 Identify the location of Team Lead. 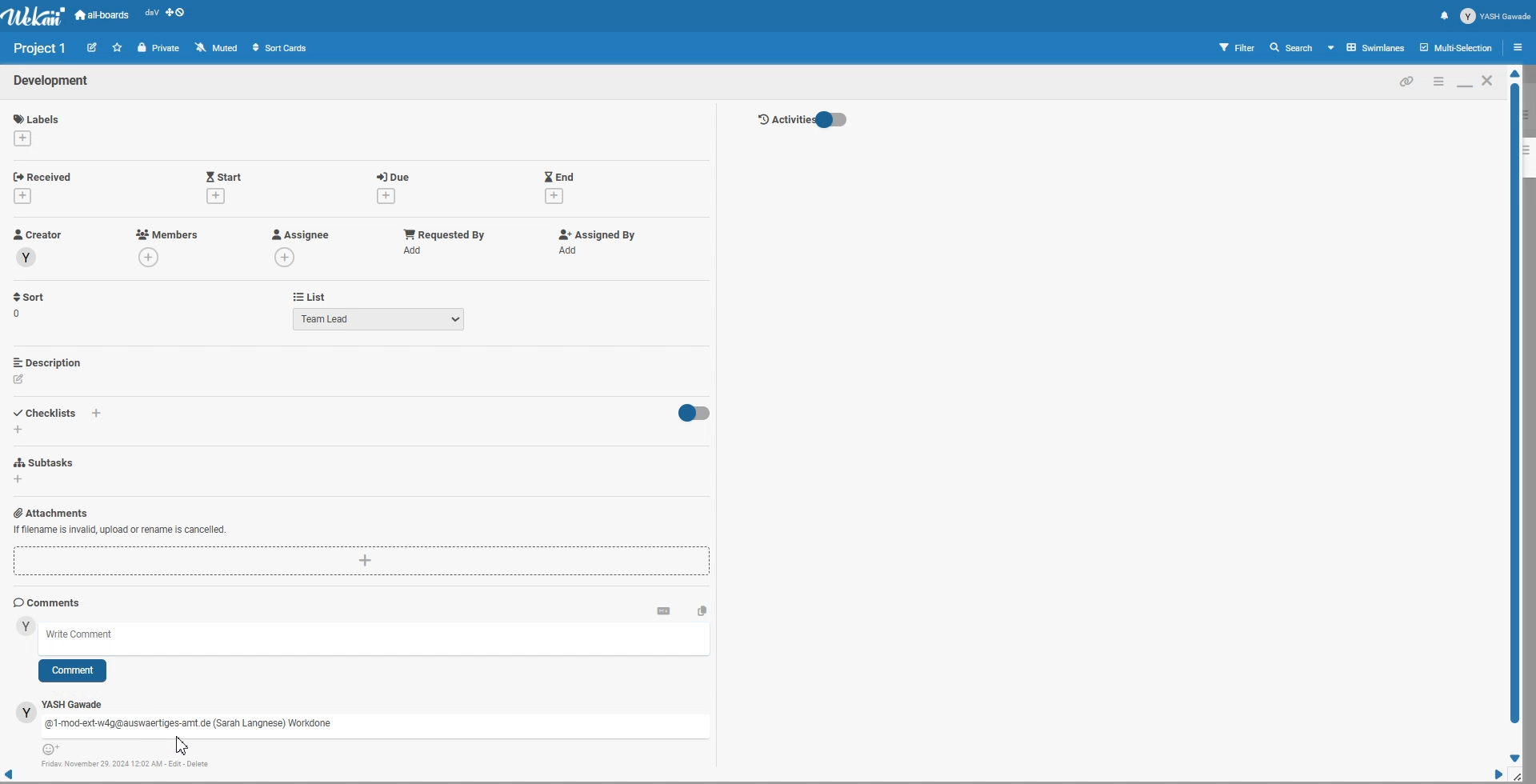
(379, 318).